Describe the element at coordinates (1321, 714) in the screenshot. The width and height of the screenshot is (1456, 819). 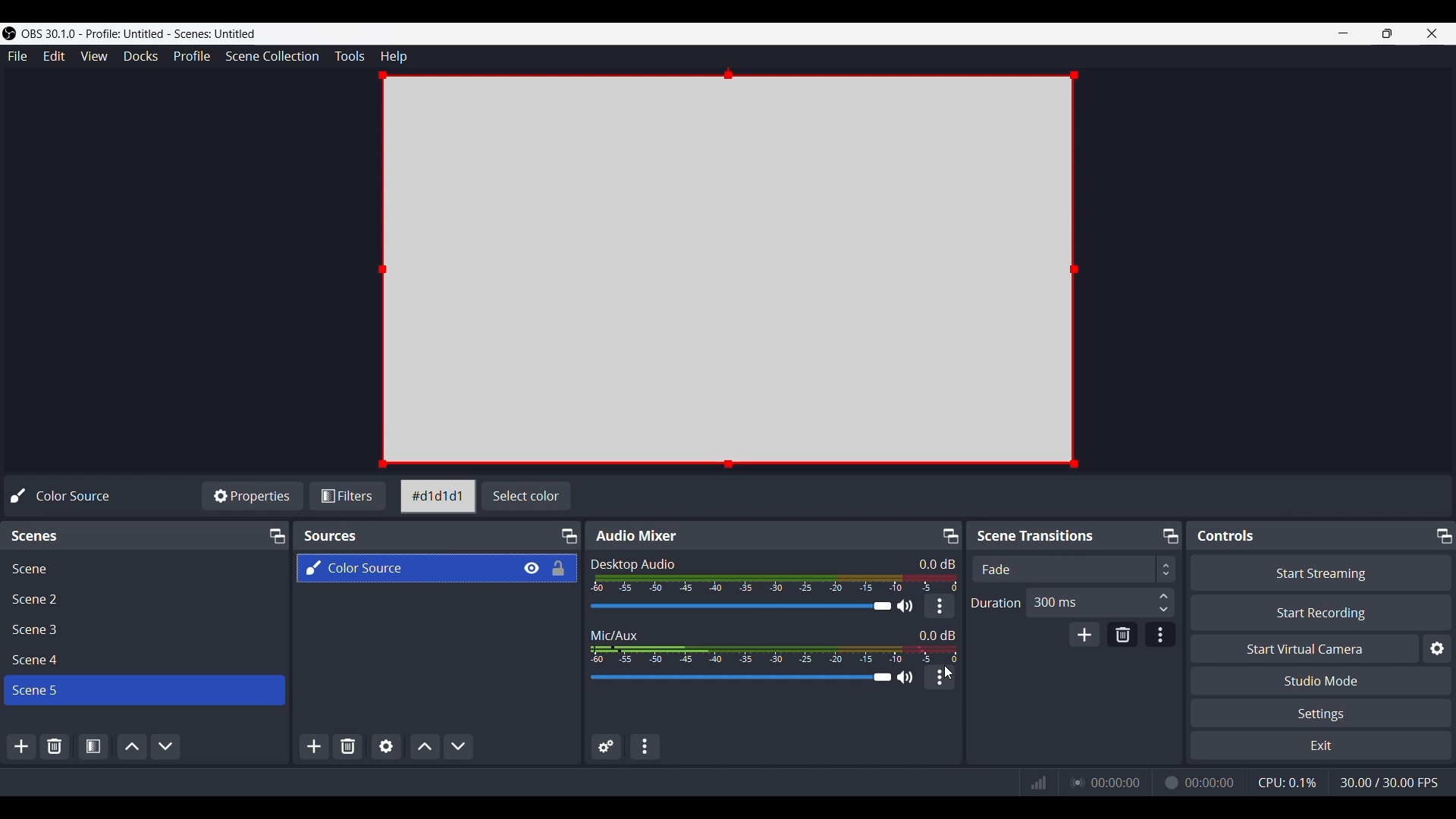
I see `Settings` at that location.